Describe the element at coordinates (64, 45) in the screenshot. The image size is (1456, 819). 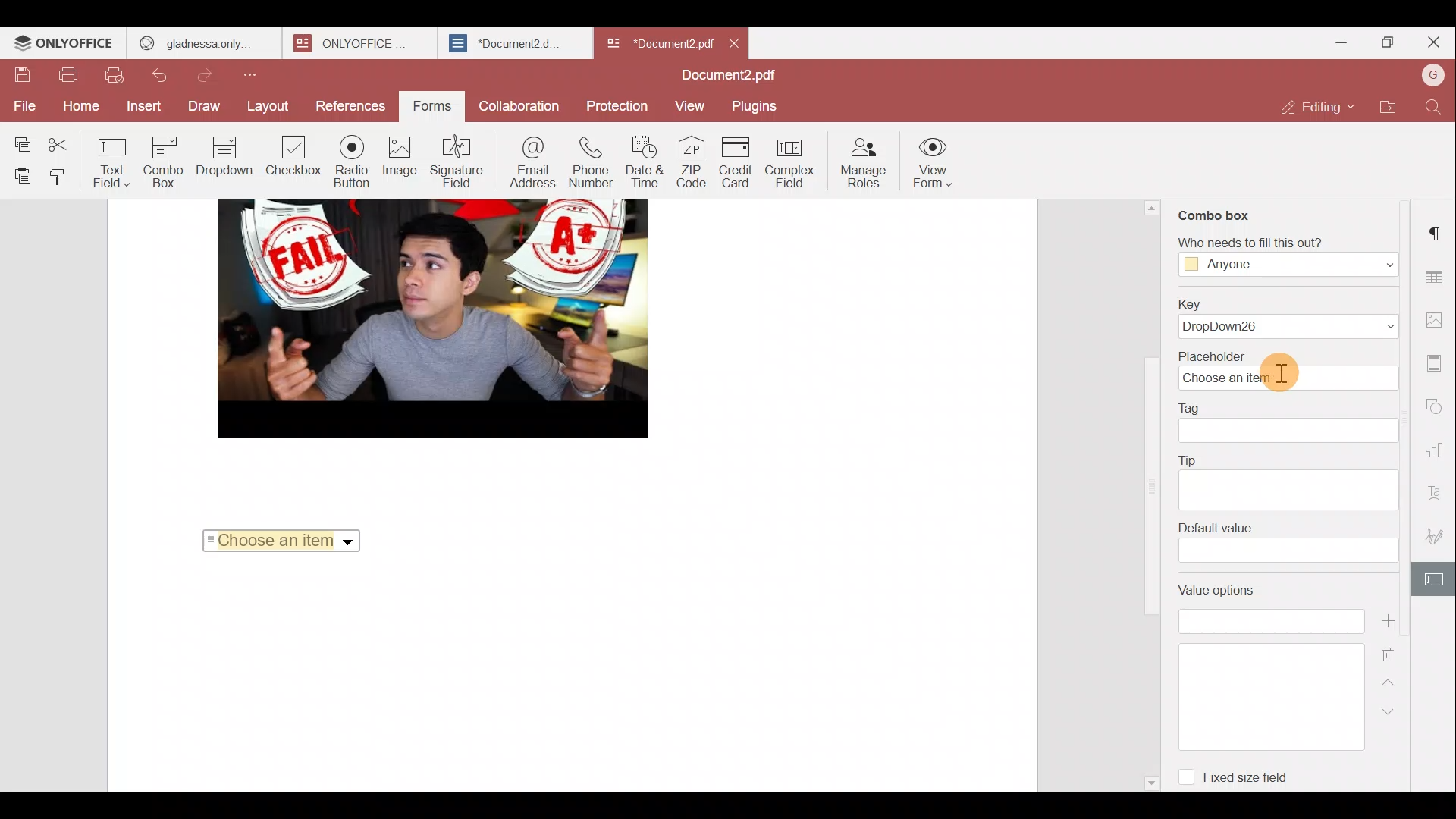
I see `ONLYOFFICE` at that location.